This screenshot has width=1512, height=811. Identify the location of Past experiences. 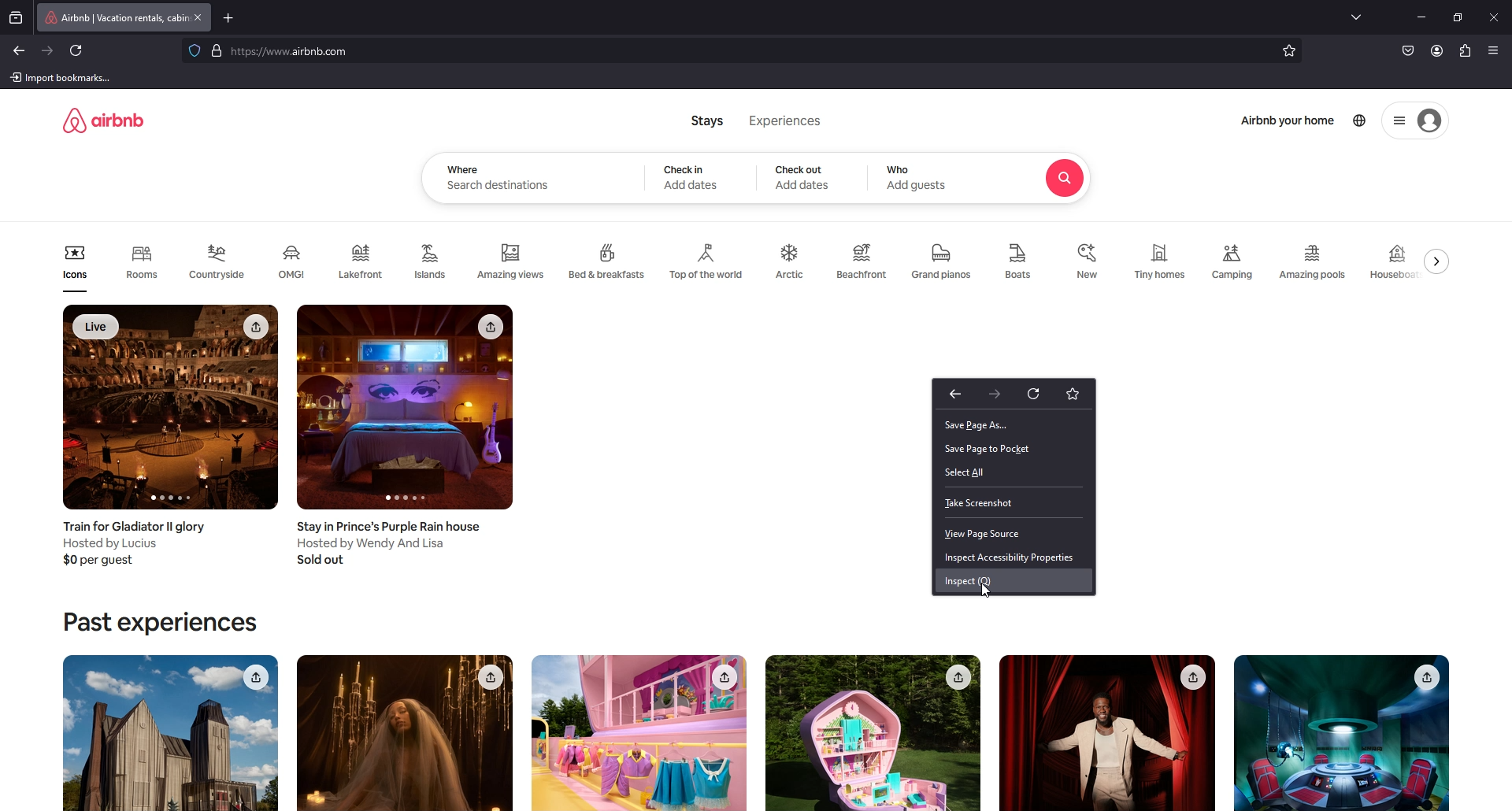
(159, 623).